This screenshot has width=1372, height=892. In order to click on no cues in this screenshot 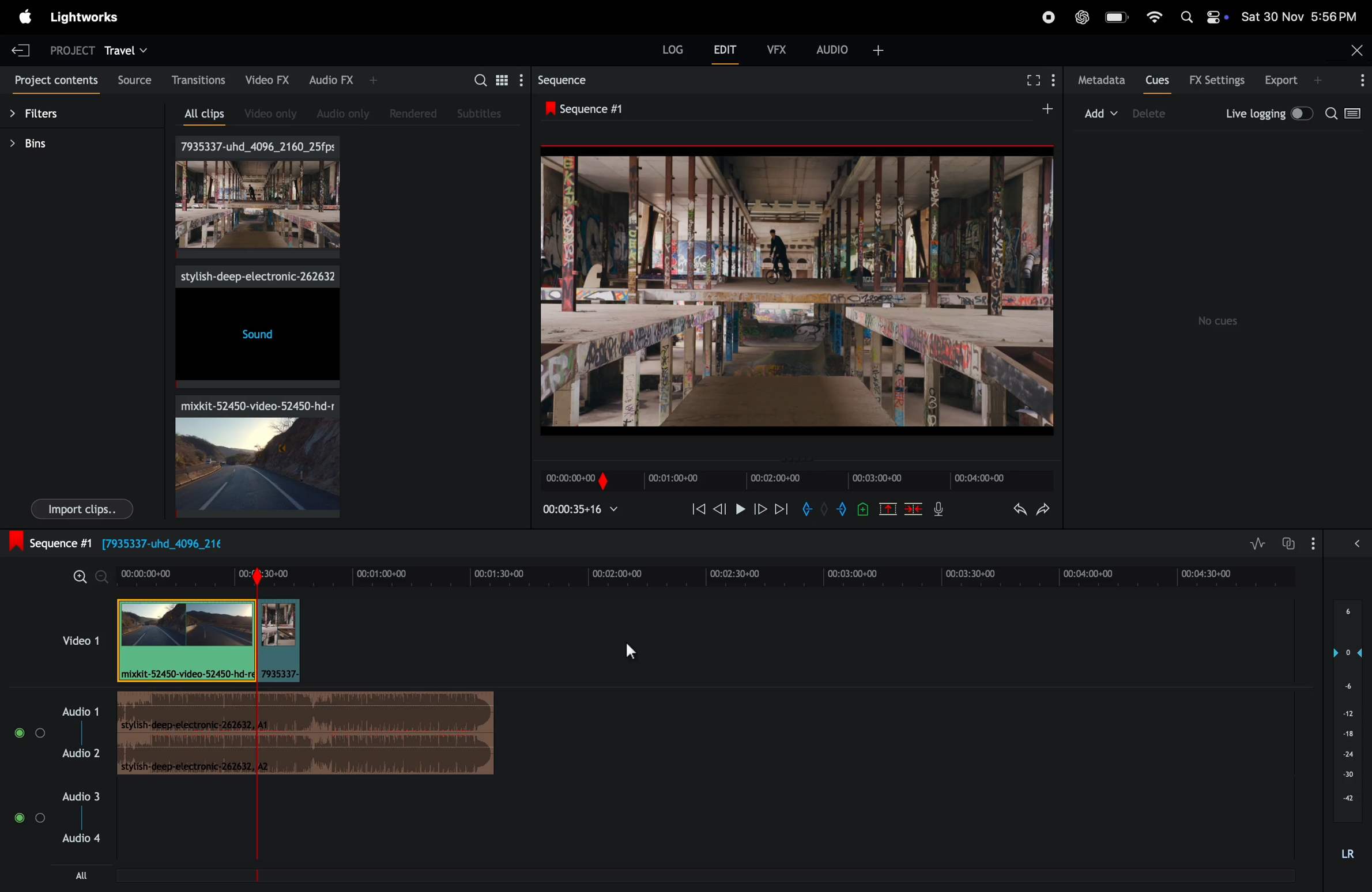, I will do `click(1220, 321)`.